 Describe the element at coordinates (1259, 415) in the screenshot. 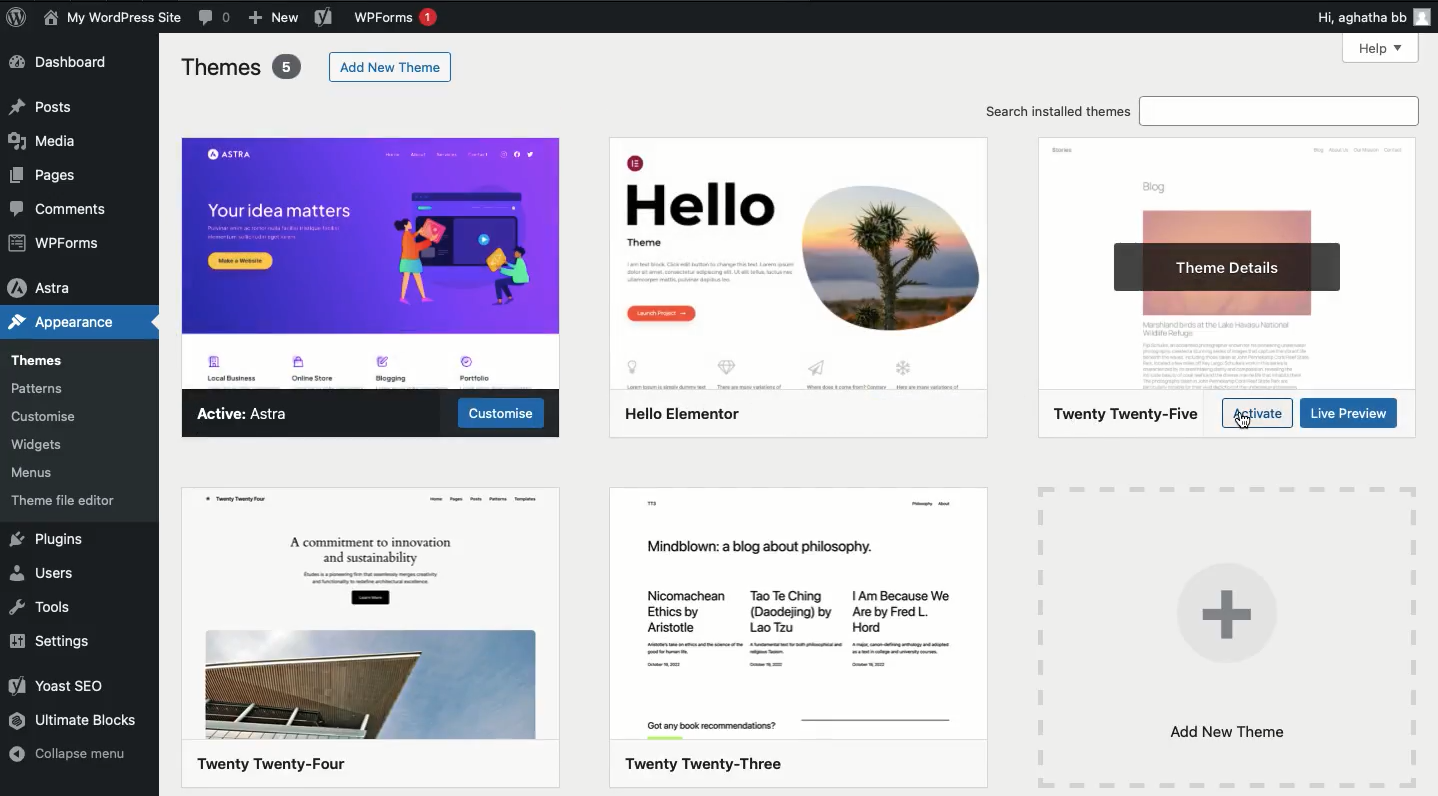

I see `Activate` at that location.